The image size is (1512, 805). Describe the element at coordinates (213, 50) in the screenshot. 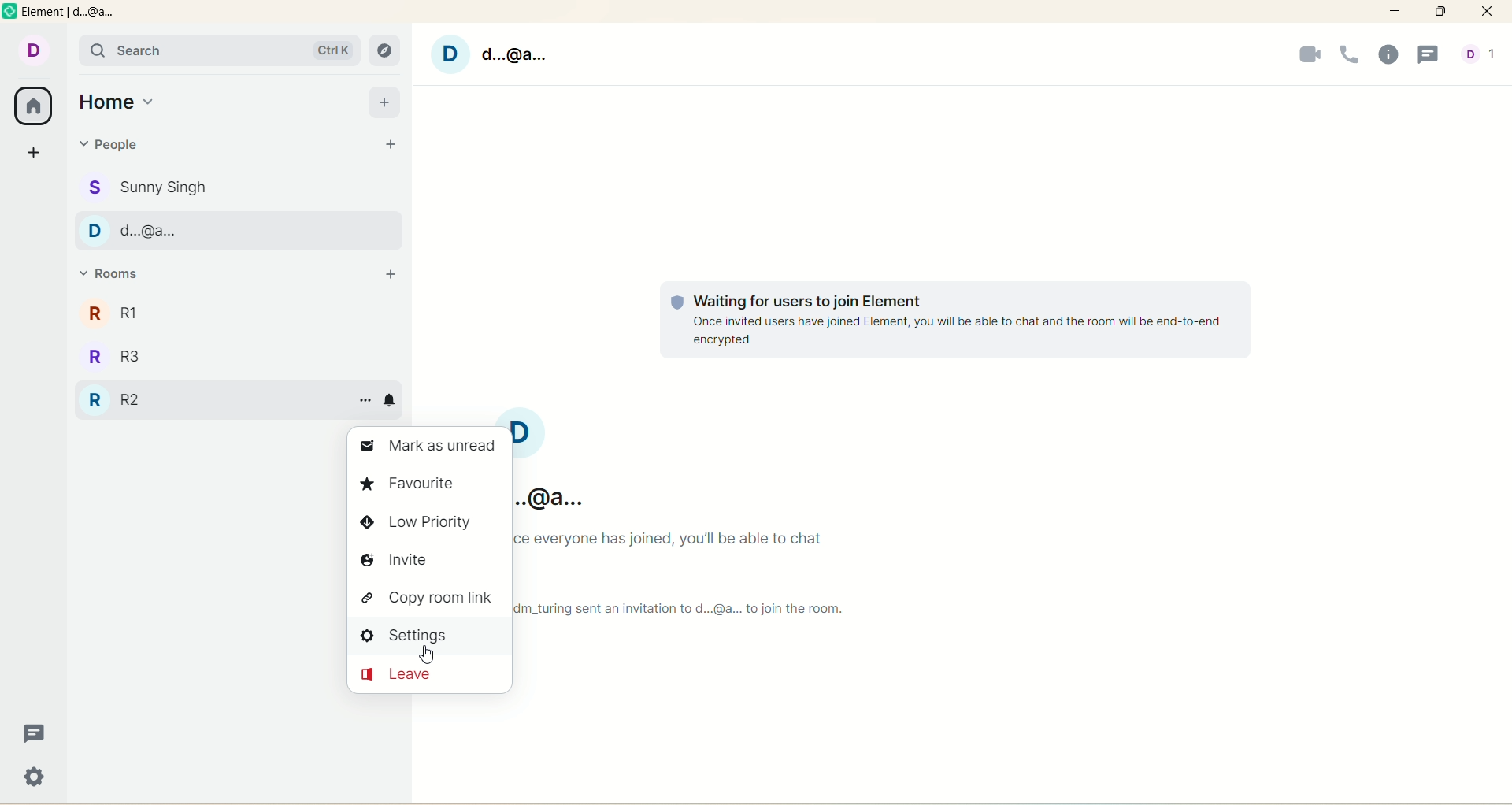

I see `search` at that location.